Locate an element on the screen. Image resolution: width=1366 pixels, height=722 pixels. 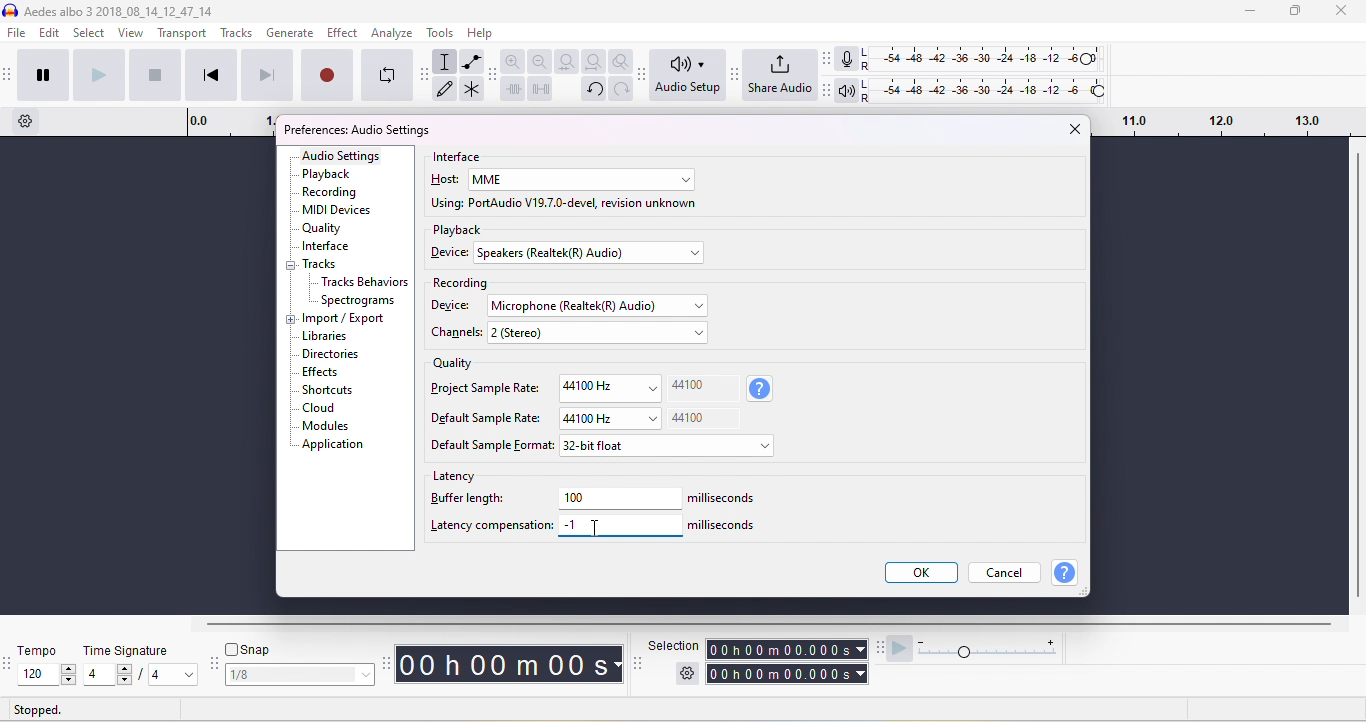
ok  is located at coordinates (919, 572).